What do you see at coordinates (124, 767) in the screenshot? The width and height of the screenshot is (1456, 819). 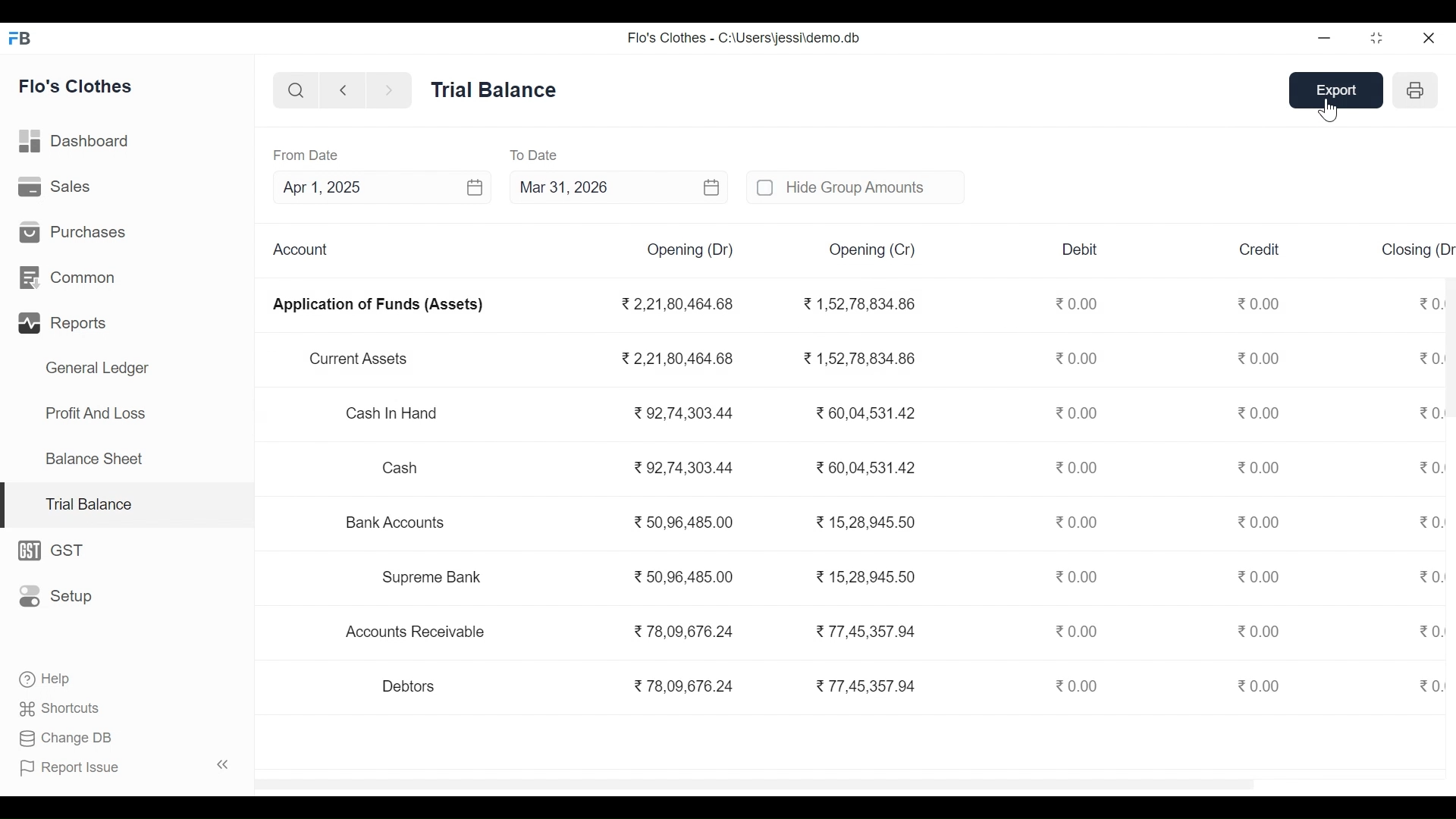 I see `Report Issue` at bounding box center [124, 767].